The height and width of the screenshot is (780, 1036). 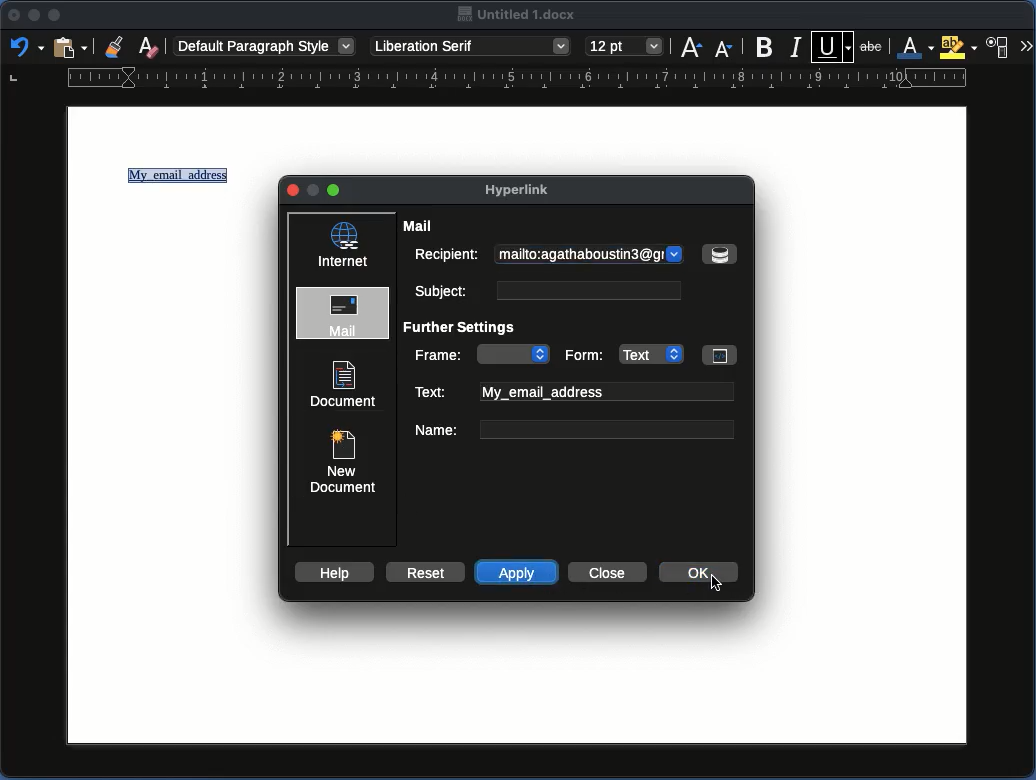 I want to click on Ruler, so click(x=489, y=81).